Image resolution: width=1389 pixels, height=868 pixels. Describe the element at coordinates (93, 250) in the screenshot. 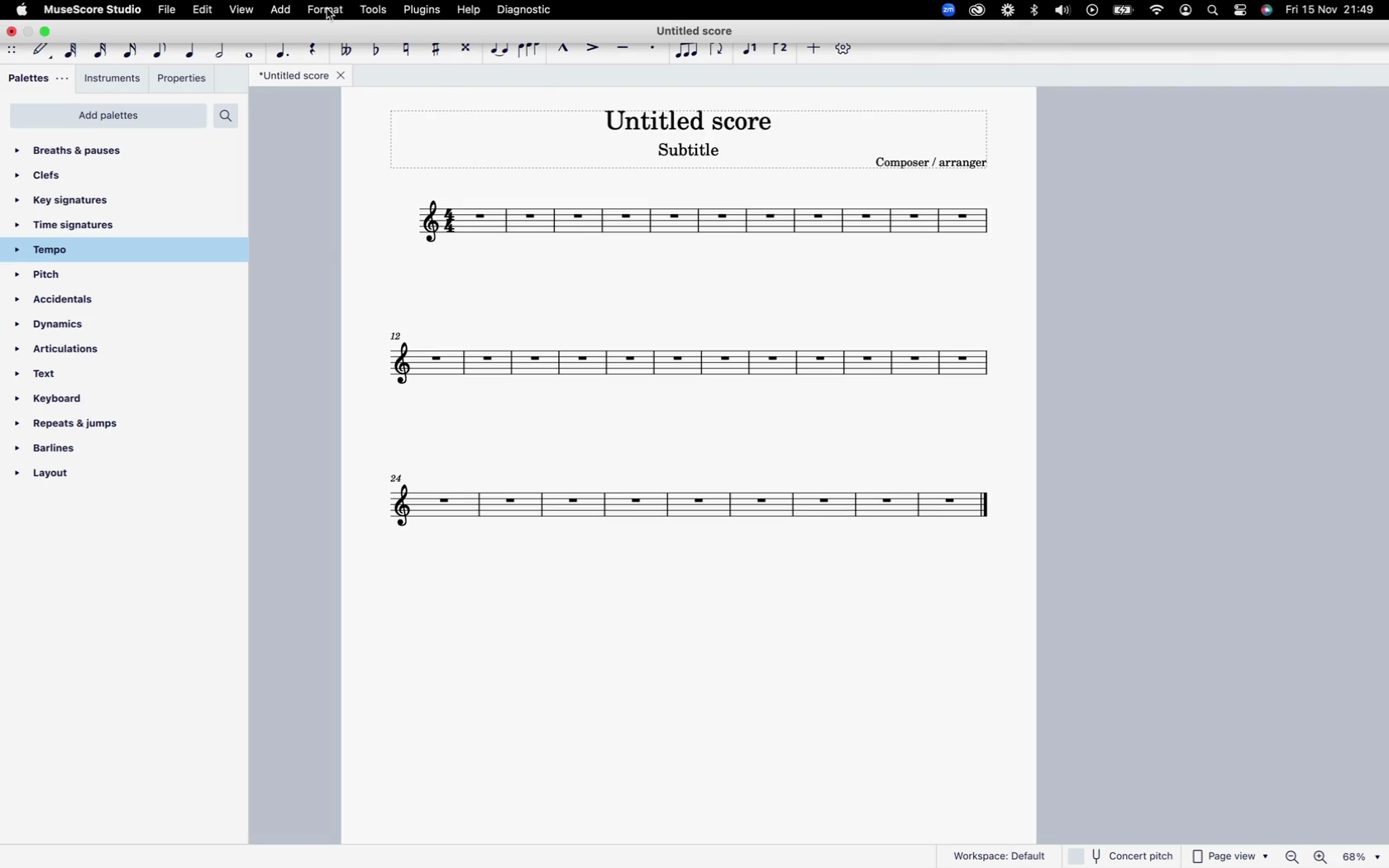

I see `tempo` at that location.